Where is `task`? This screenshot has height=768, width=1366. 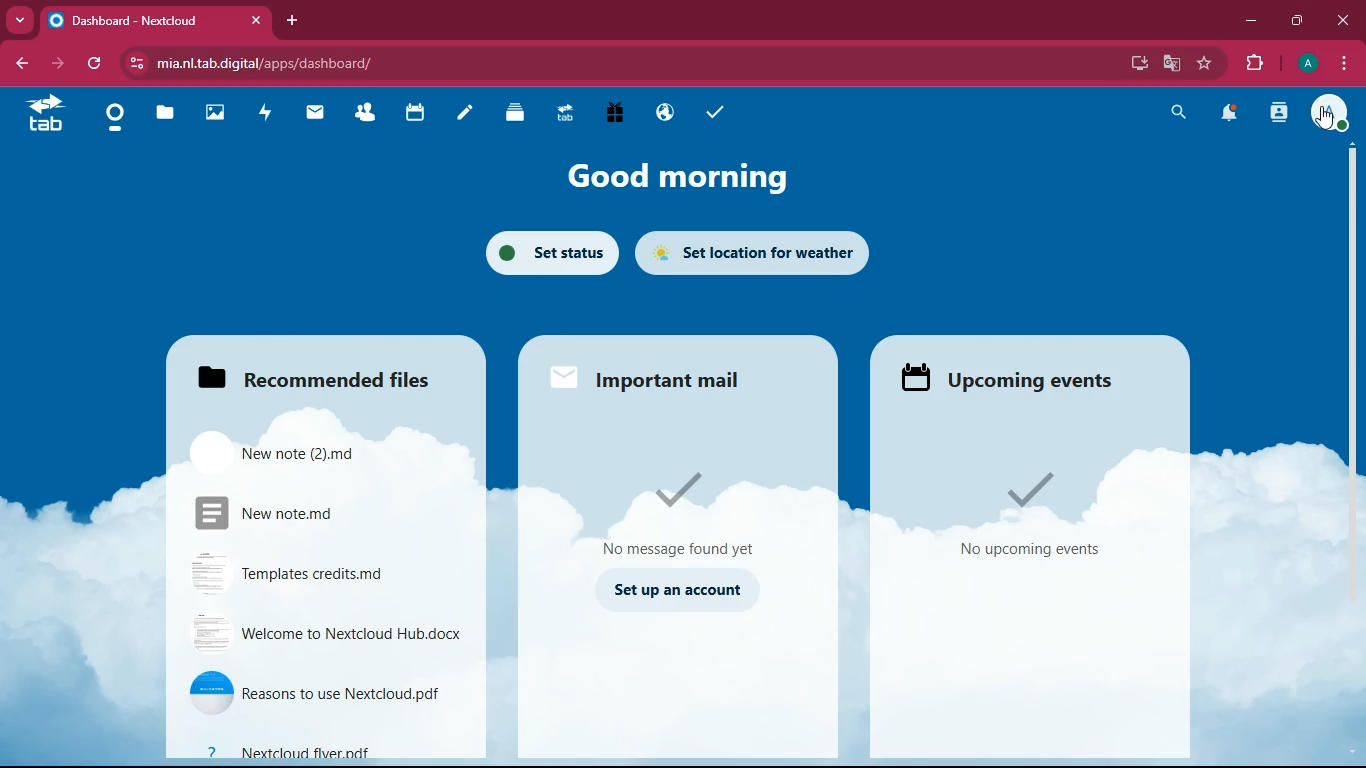
task is located at coordinates (711, 112).